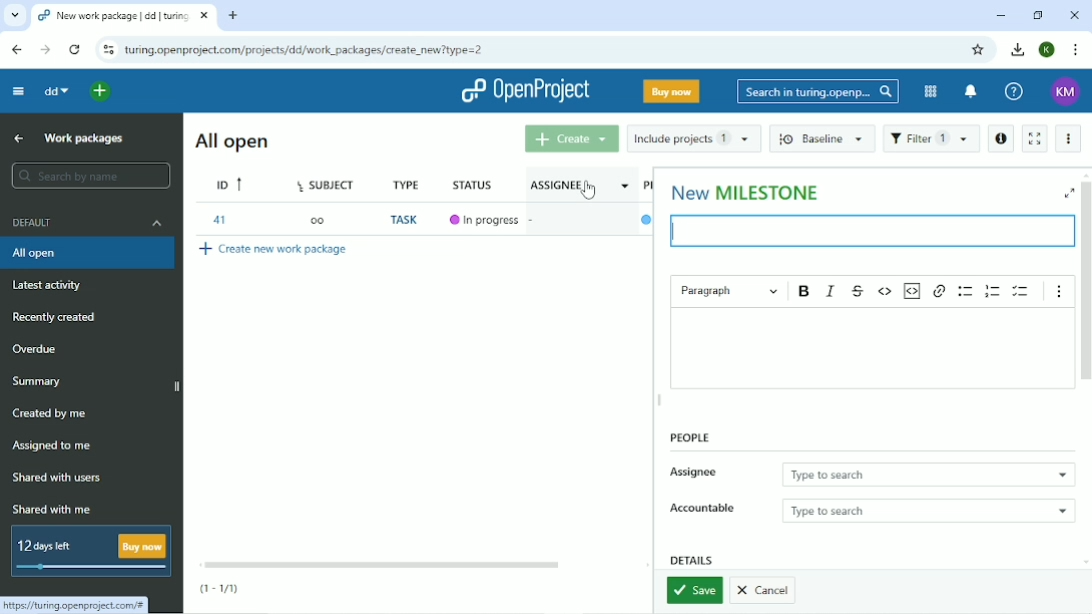 This screenshot has height=614, width=1092. I want to click on Collapse project menu, so click(19, 92).